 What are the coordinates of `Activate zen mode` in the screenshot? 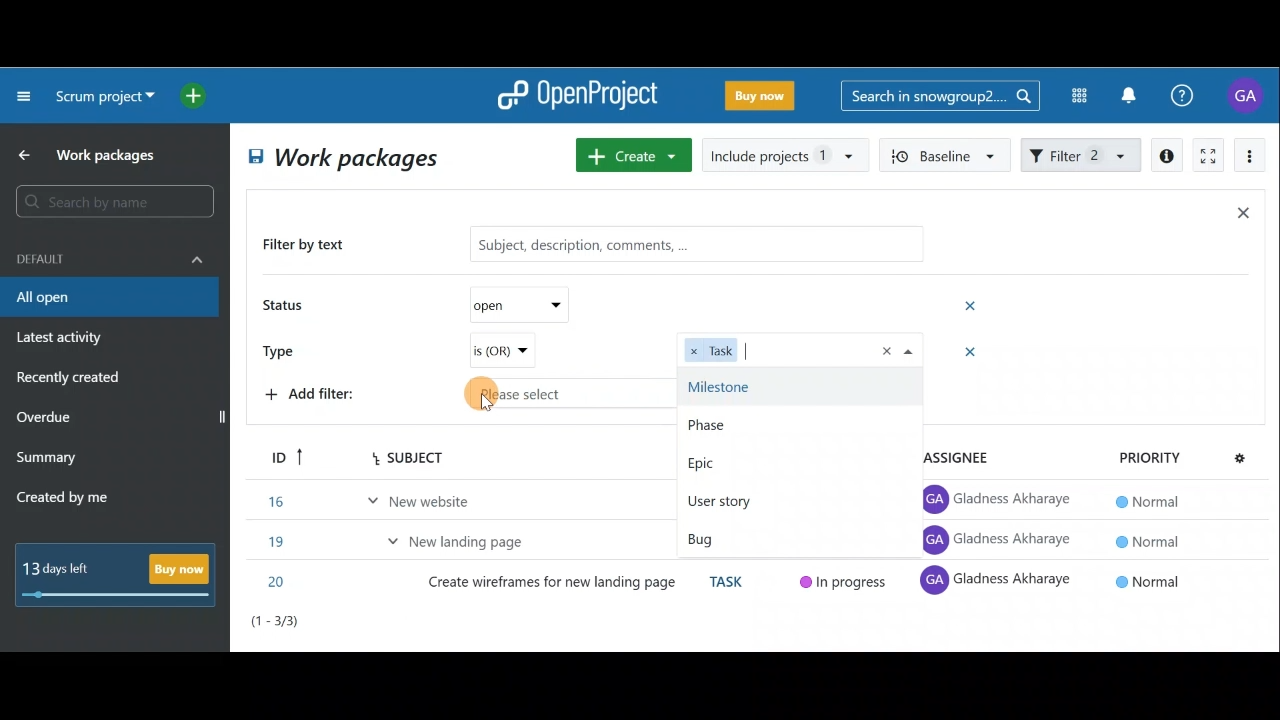 It's located at (1206, 157).